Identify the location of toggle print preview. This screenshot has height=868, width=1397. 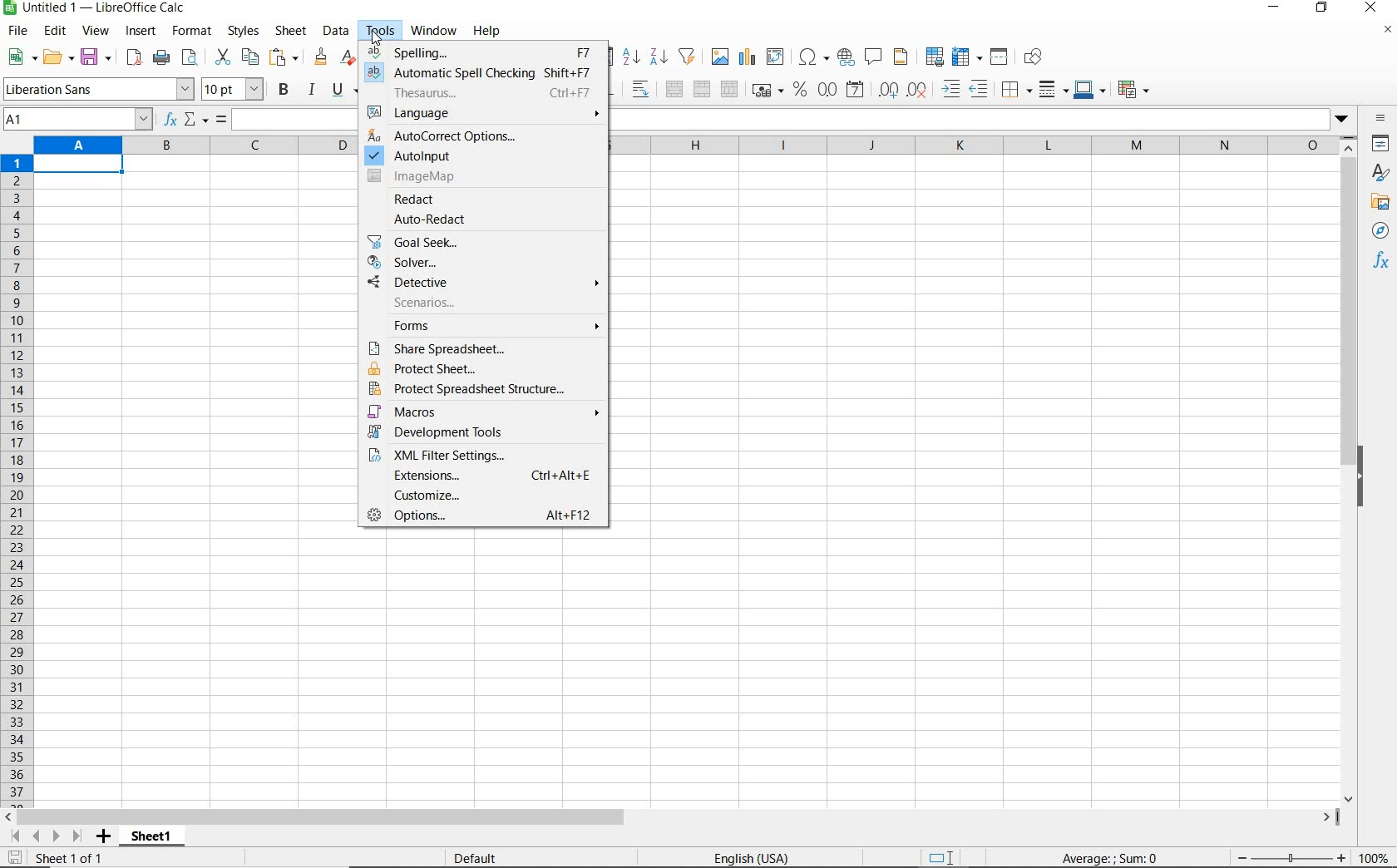
(190, 57).